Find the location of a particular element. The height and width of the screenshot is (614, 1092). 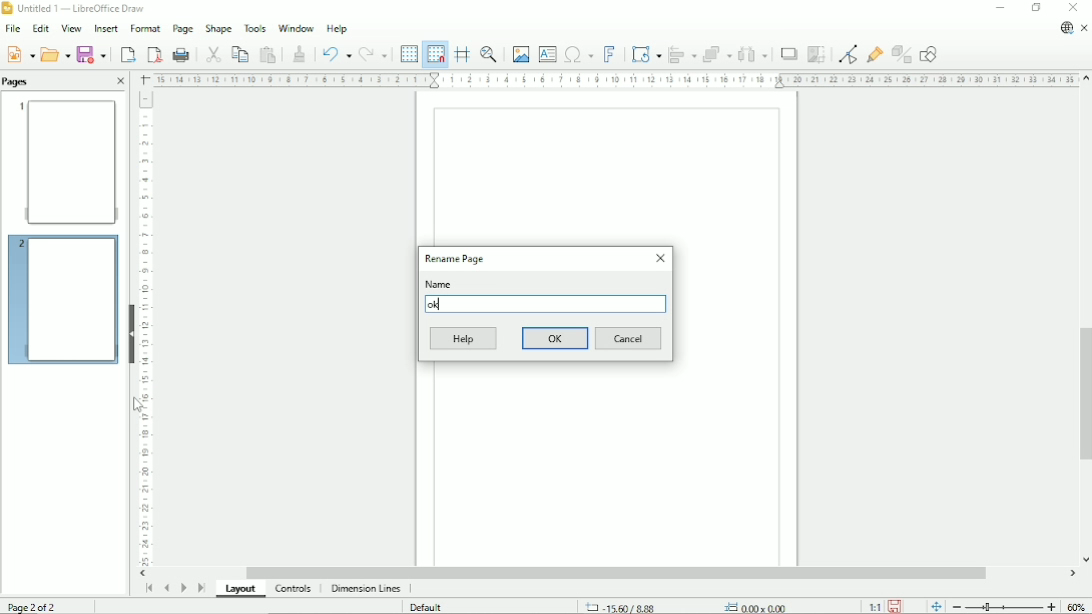

Help is located at coordinates (464, 339).